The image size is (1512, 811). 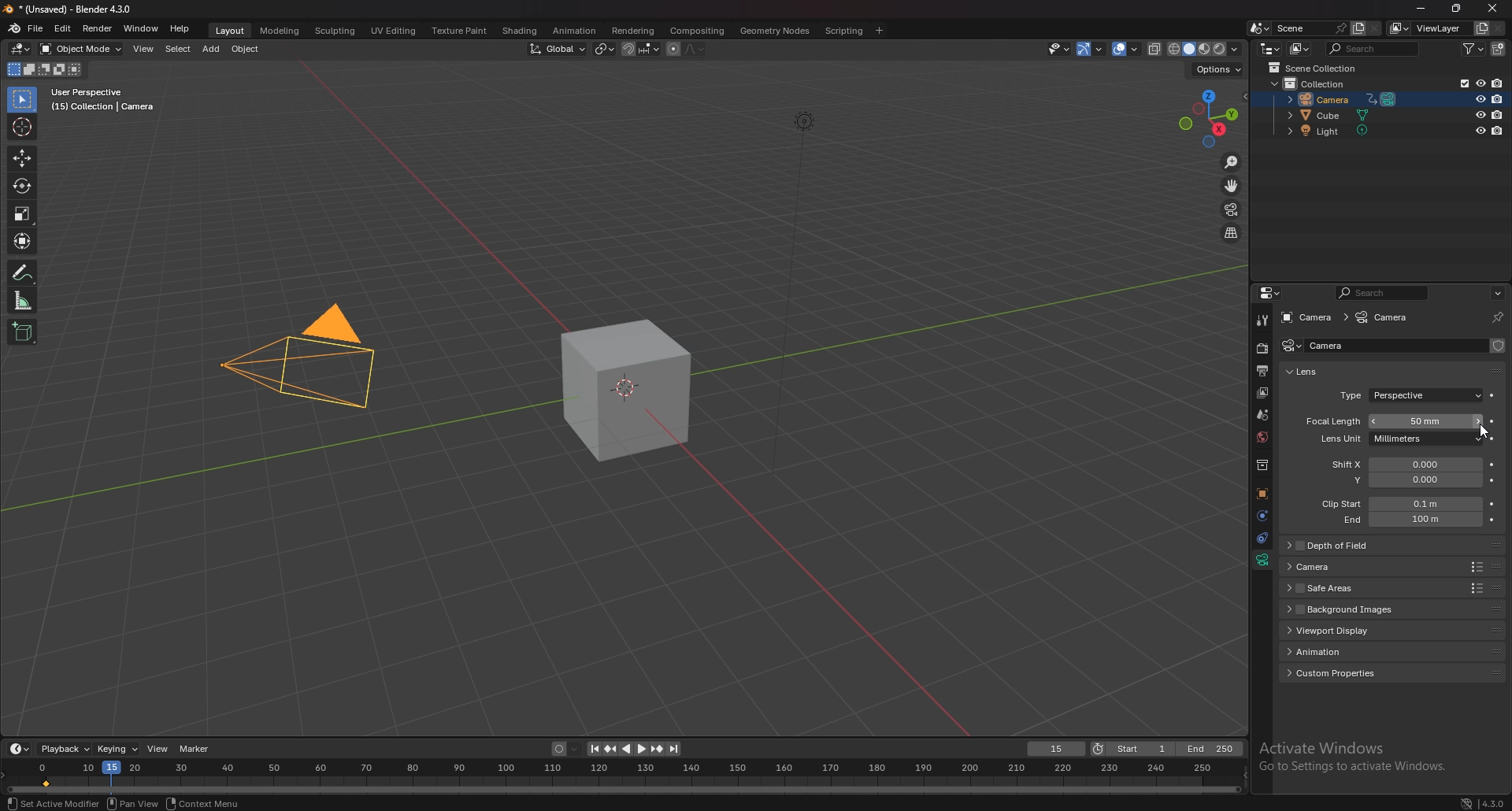 I want to click on camera, so click(x=298, y=365).